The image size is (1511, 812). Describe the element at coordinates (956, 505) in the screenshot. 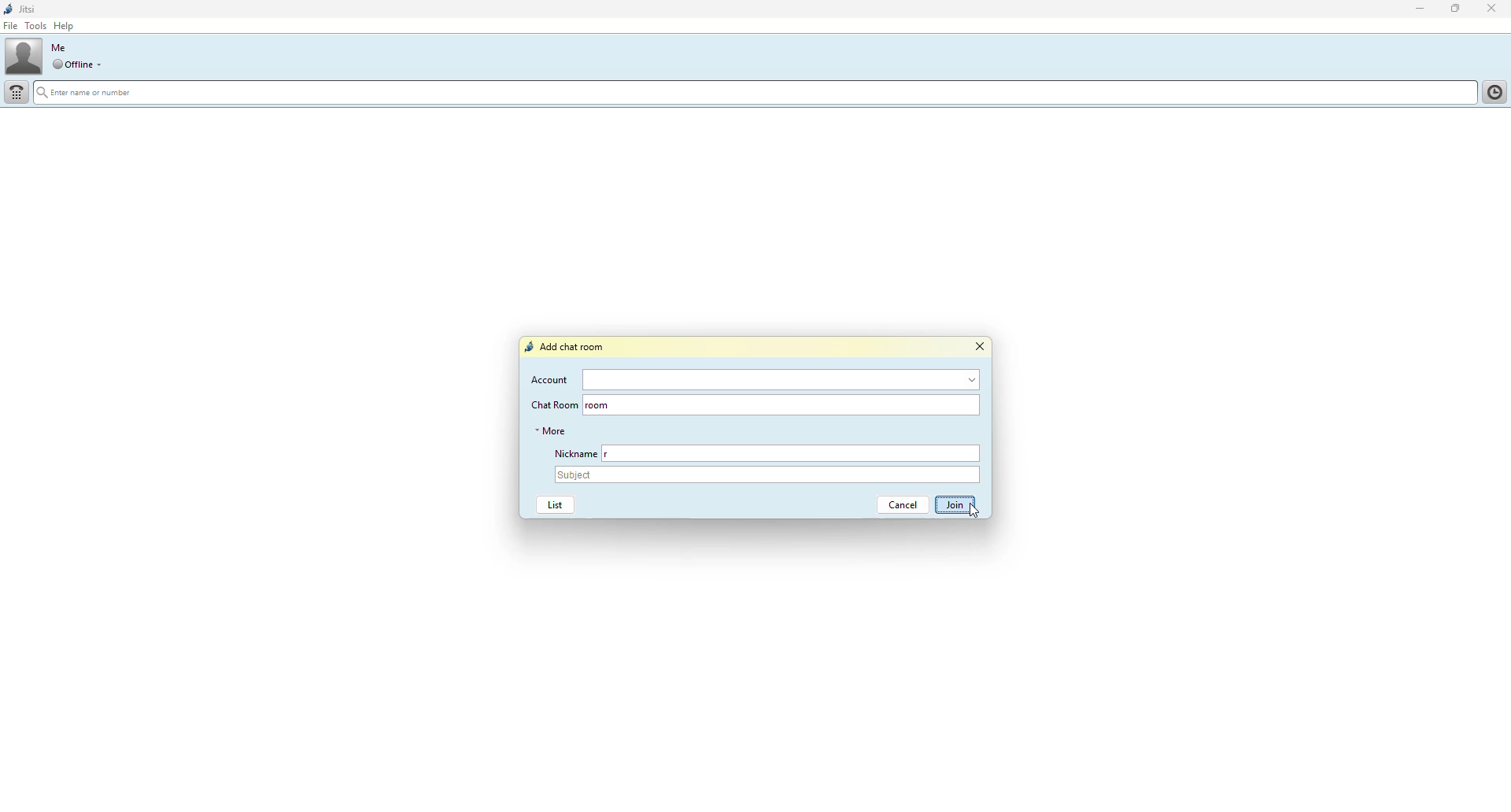

I see `join` at that location.